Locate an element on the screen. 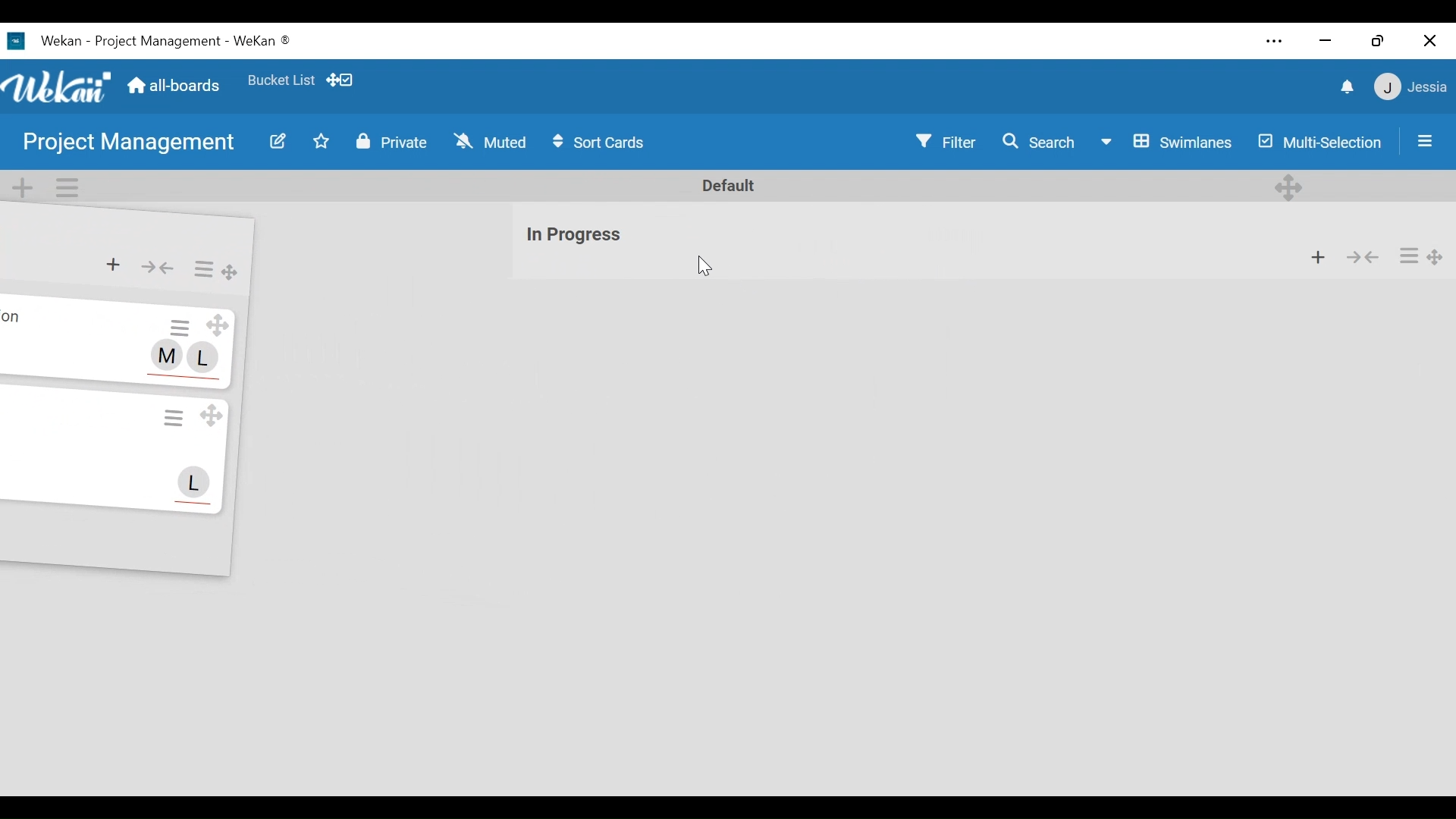 The height and width of the screenshot is (819, 1456). Swimlane actions is located at coordinates (66, 187).